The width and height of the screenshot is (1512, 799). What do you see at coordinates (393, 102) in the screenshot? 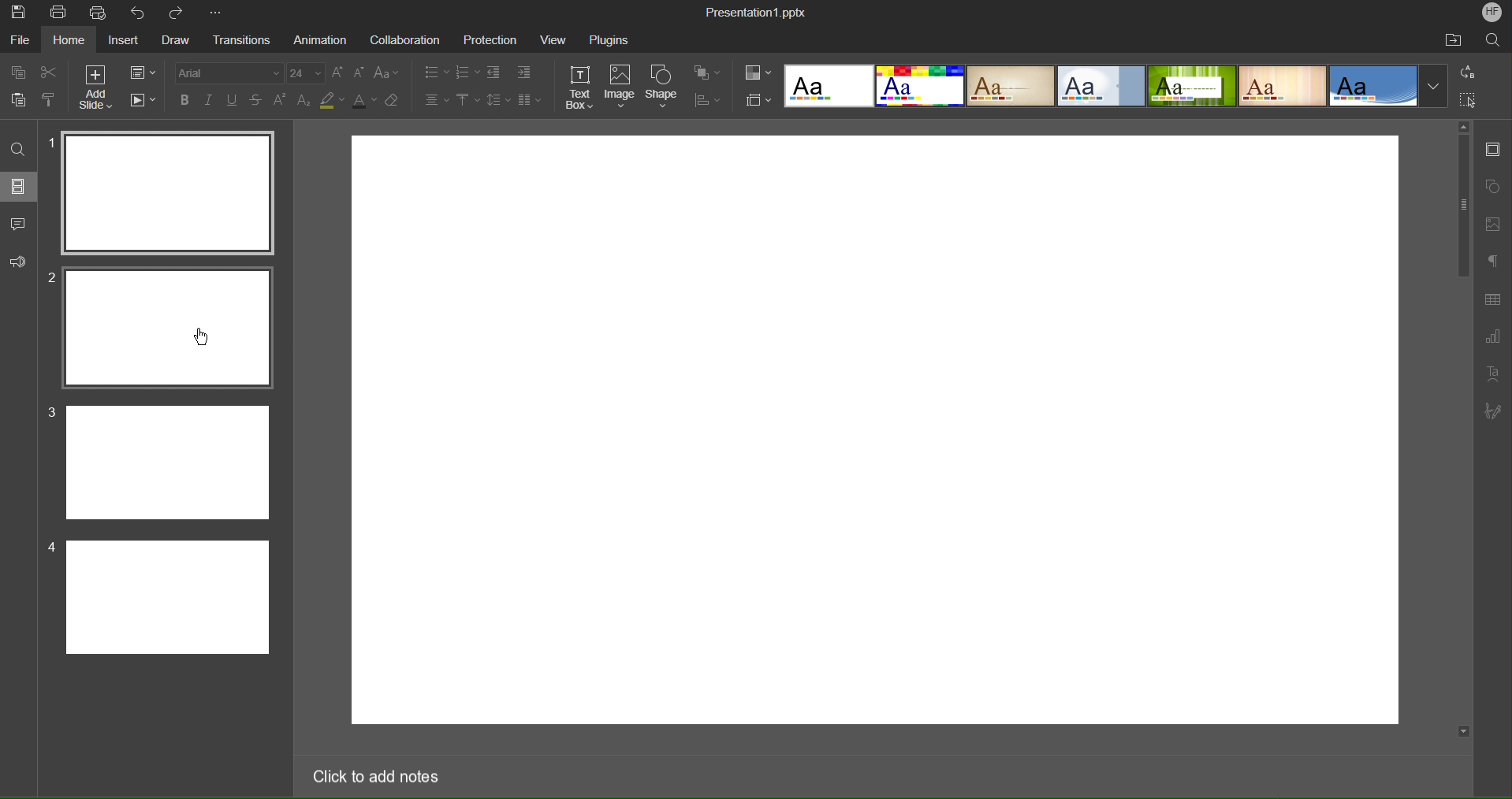
I see `clear formatting` at bounding box center [393, 102].